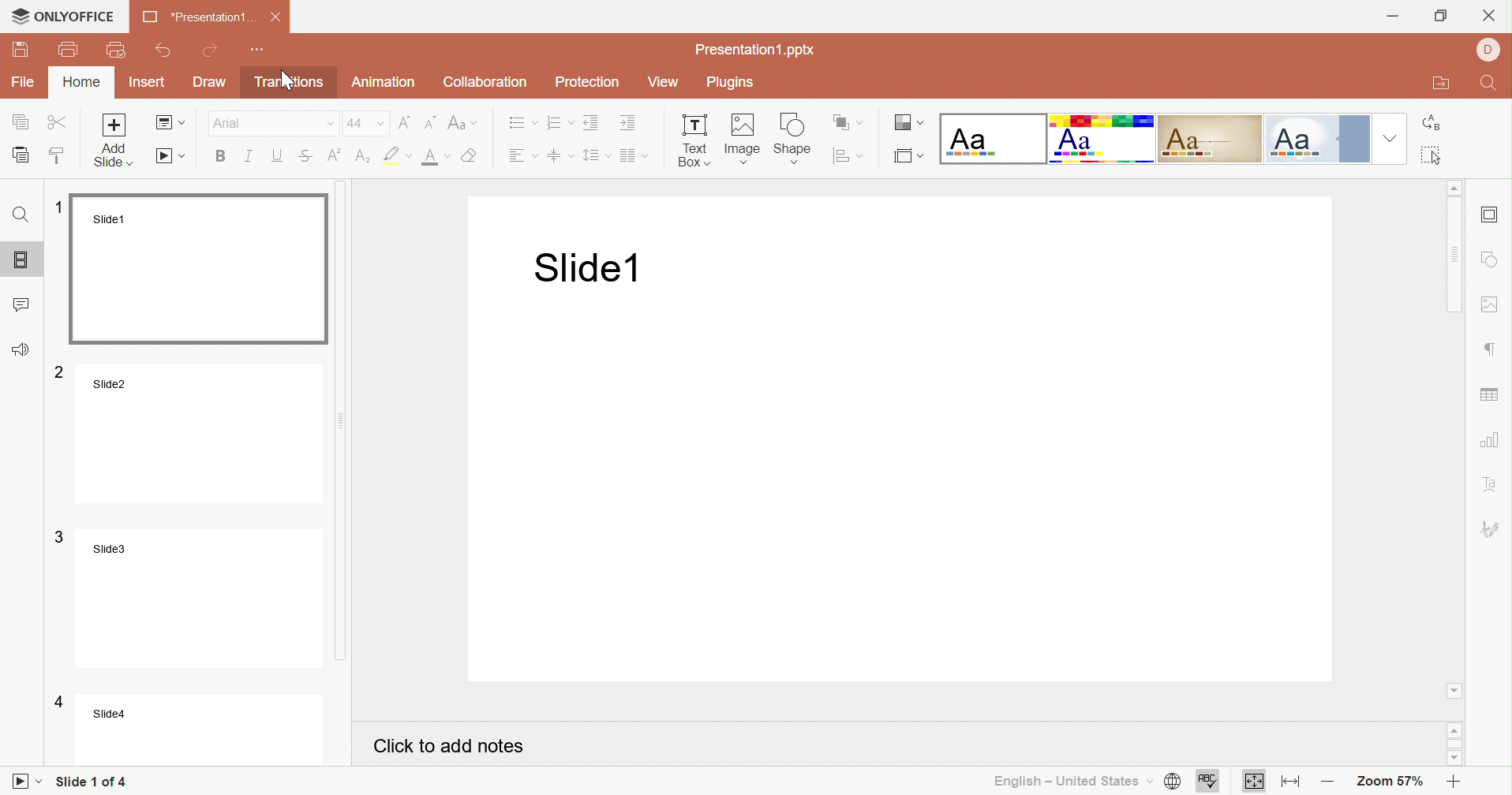 Image resolution: width=1512 pixels, height=795 pixels. What do you see at coordinates (1454, 784) in the screenshot?
I see `Zoom in` at bounding box center [1454, 784].